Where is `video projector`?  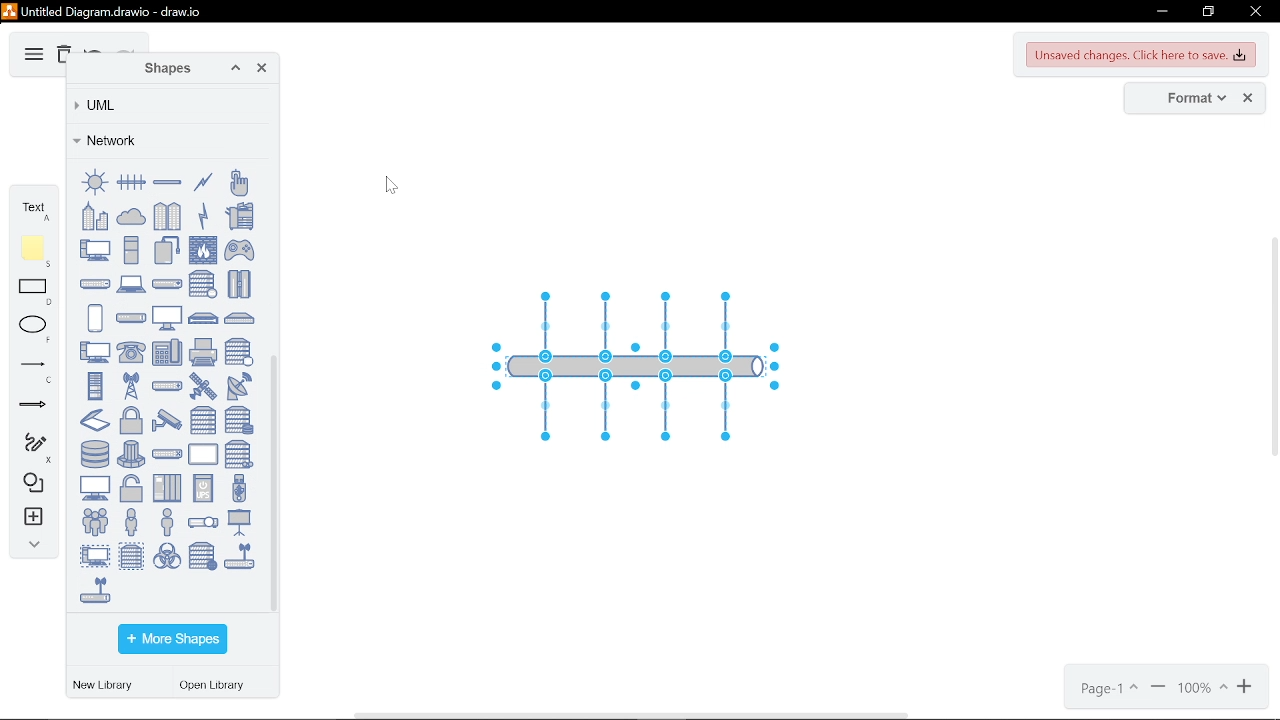 video projector is located at coordinates (203, 523).